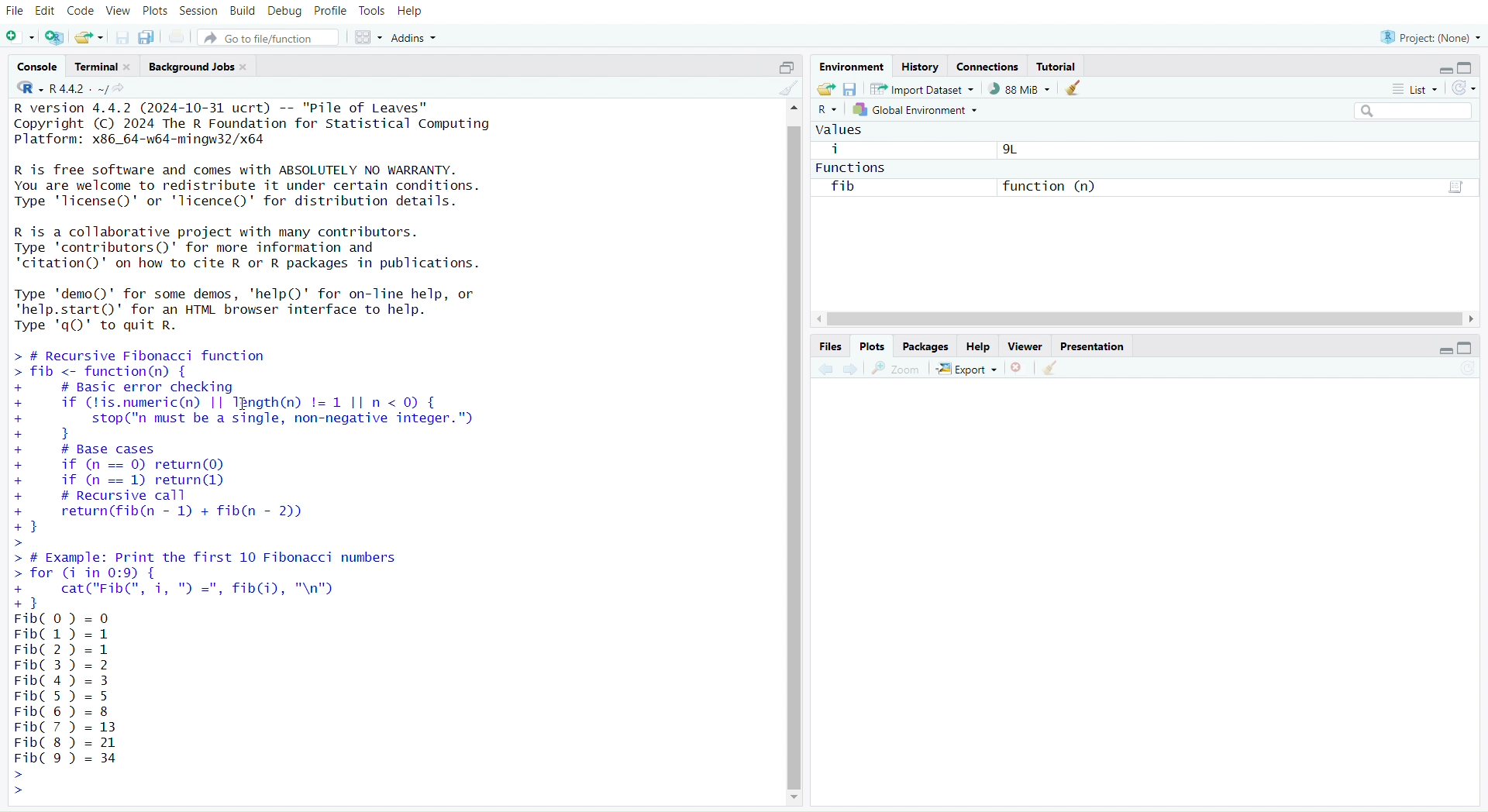  I want to click on zoom, so click(897, 370).